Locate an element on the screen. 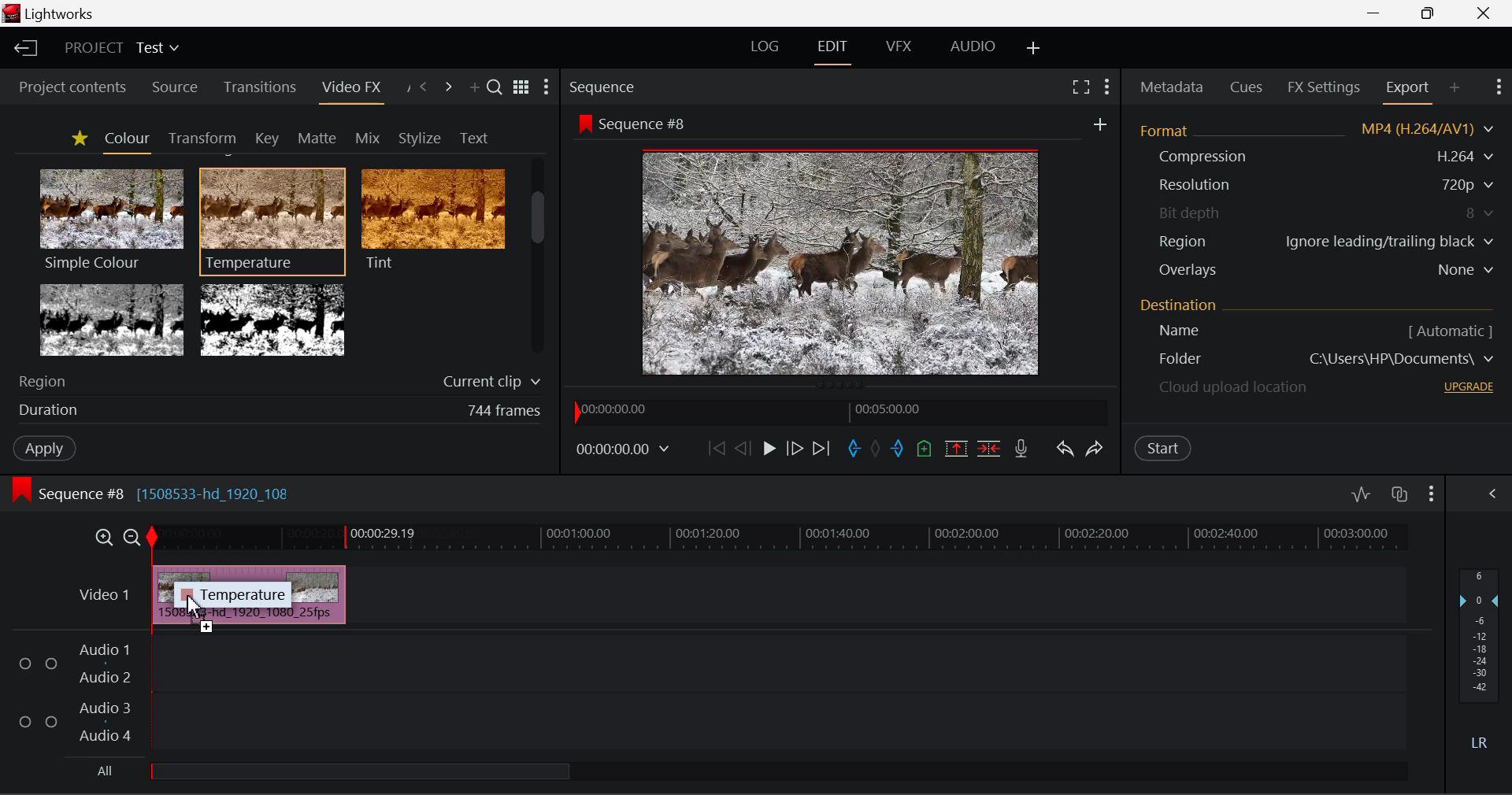 This screenshot has height=795, width=1512. Lightworks is located at coordinates (63, 14).